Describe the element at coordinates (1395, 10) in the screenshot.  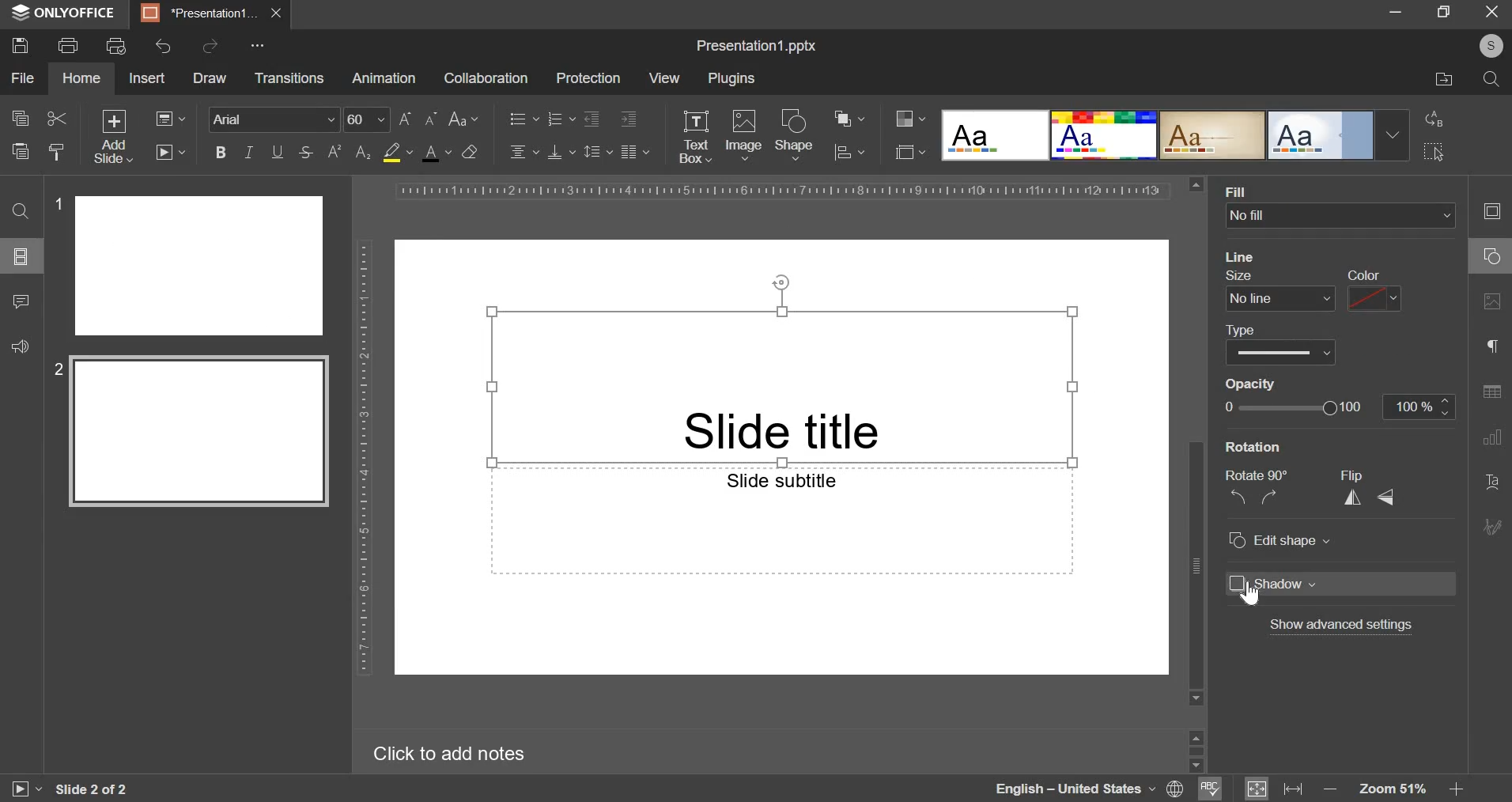
I see `minimize` at that location.